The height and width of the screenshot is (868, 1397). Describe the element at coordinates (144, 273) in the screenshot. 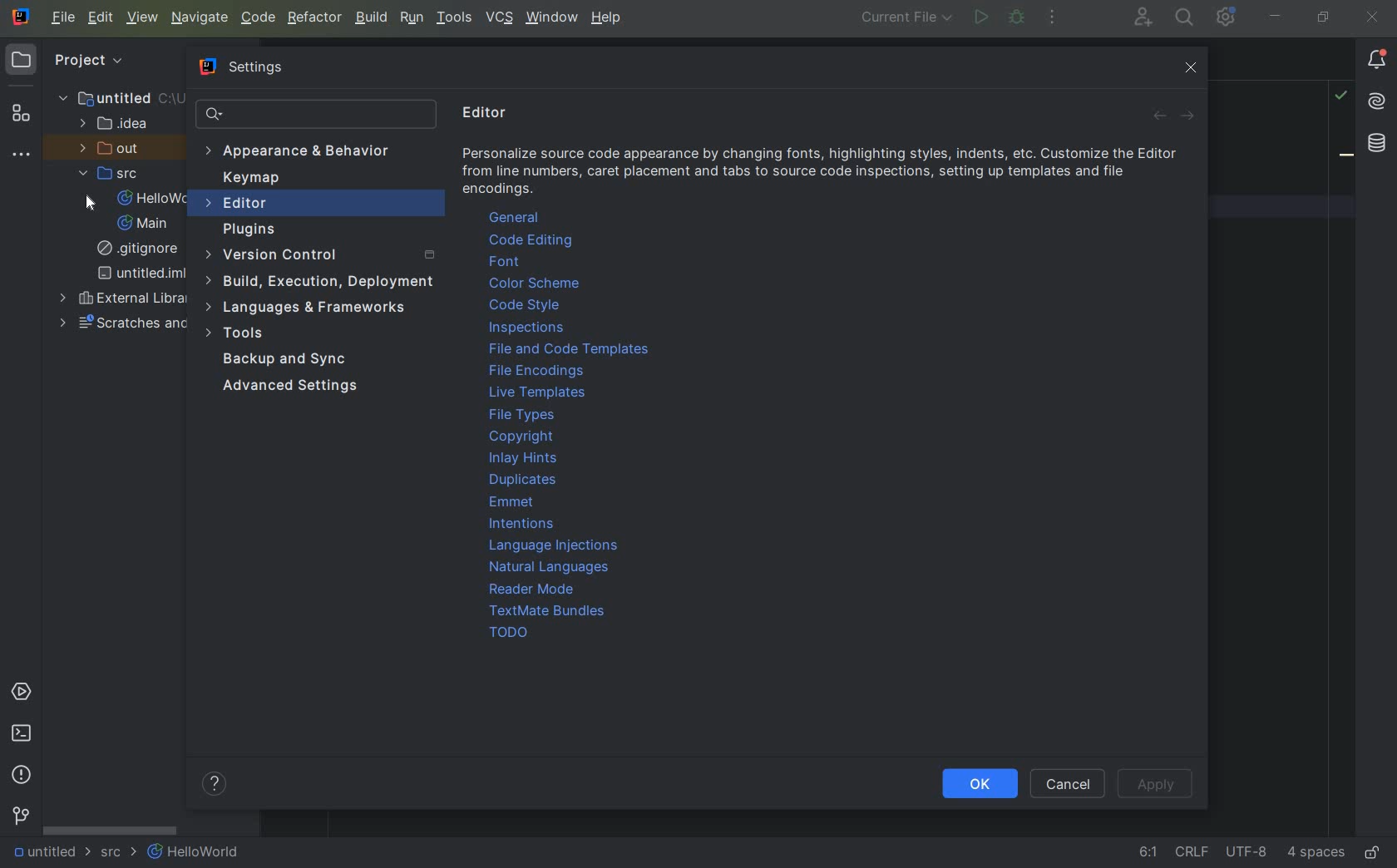

I see `UNTITLED` at that location.